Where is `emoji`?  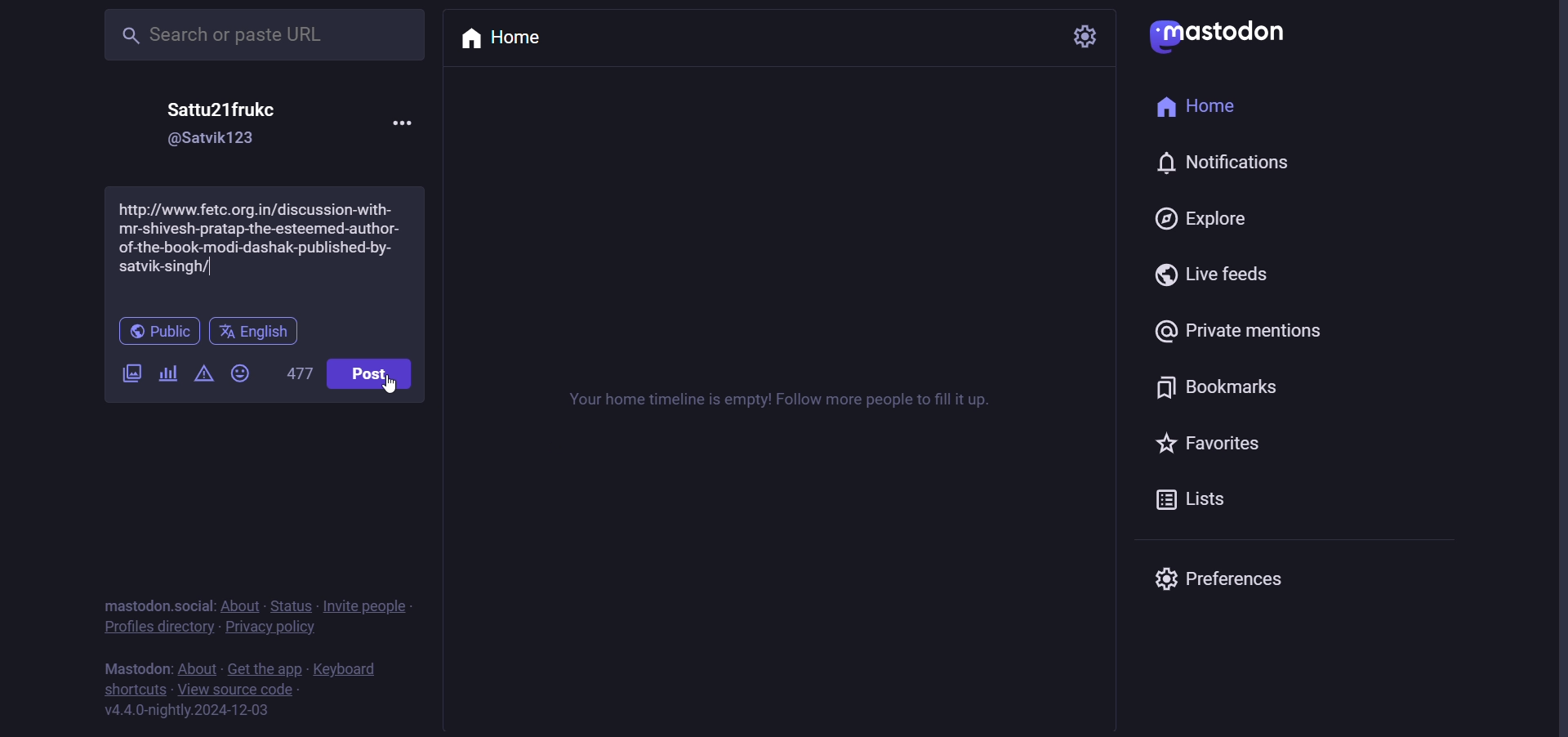
emoji is located at coordinates (244, 371).